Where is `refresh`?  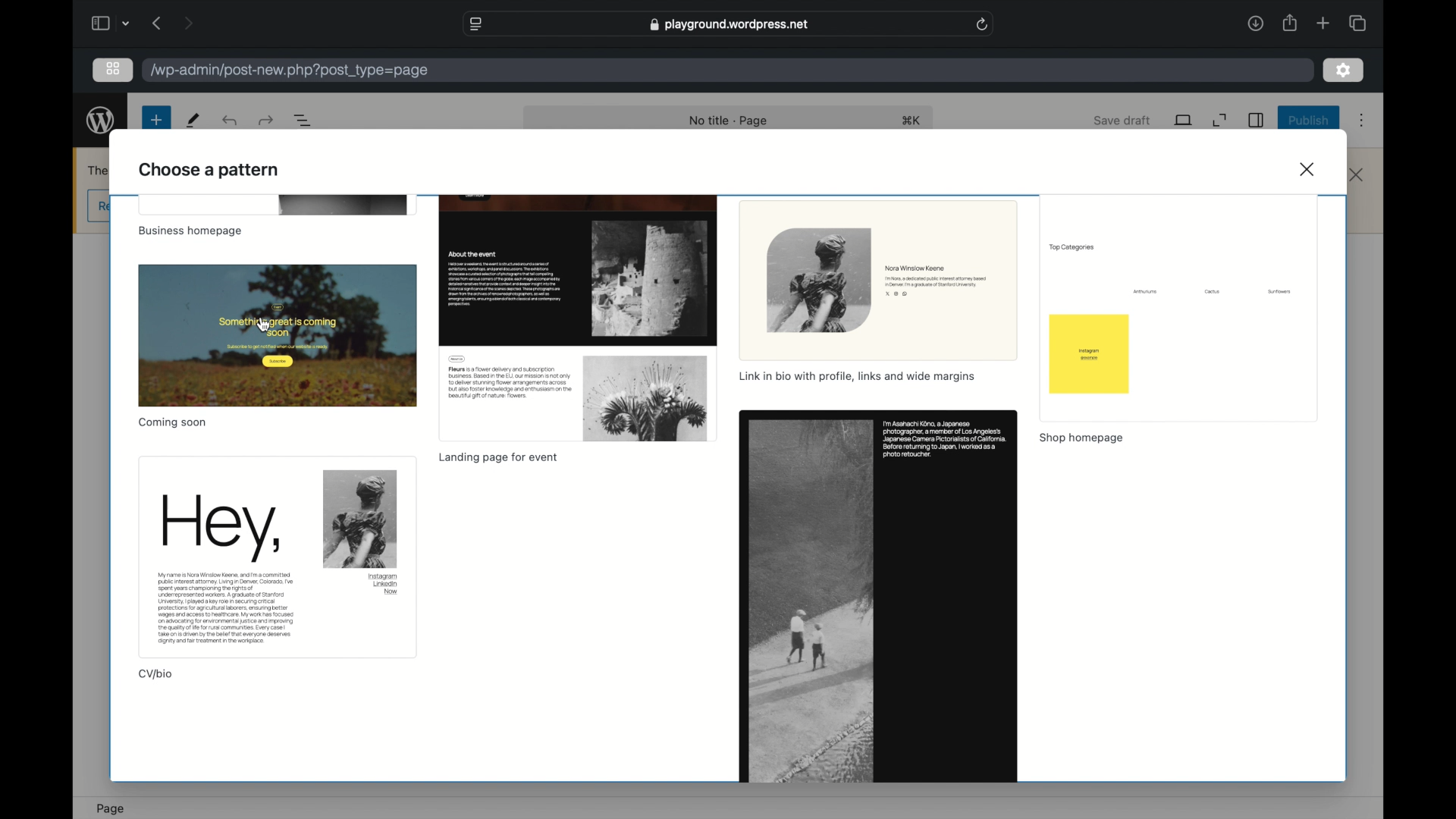 refresh is located at coordinates (983, 25).